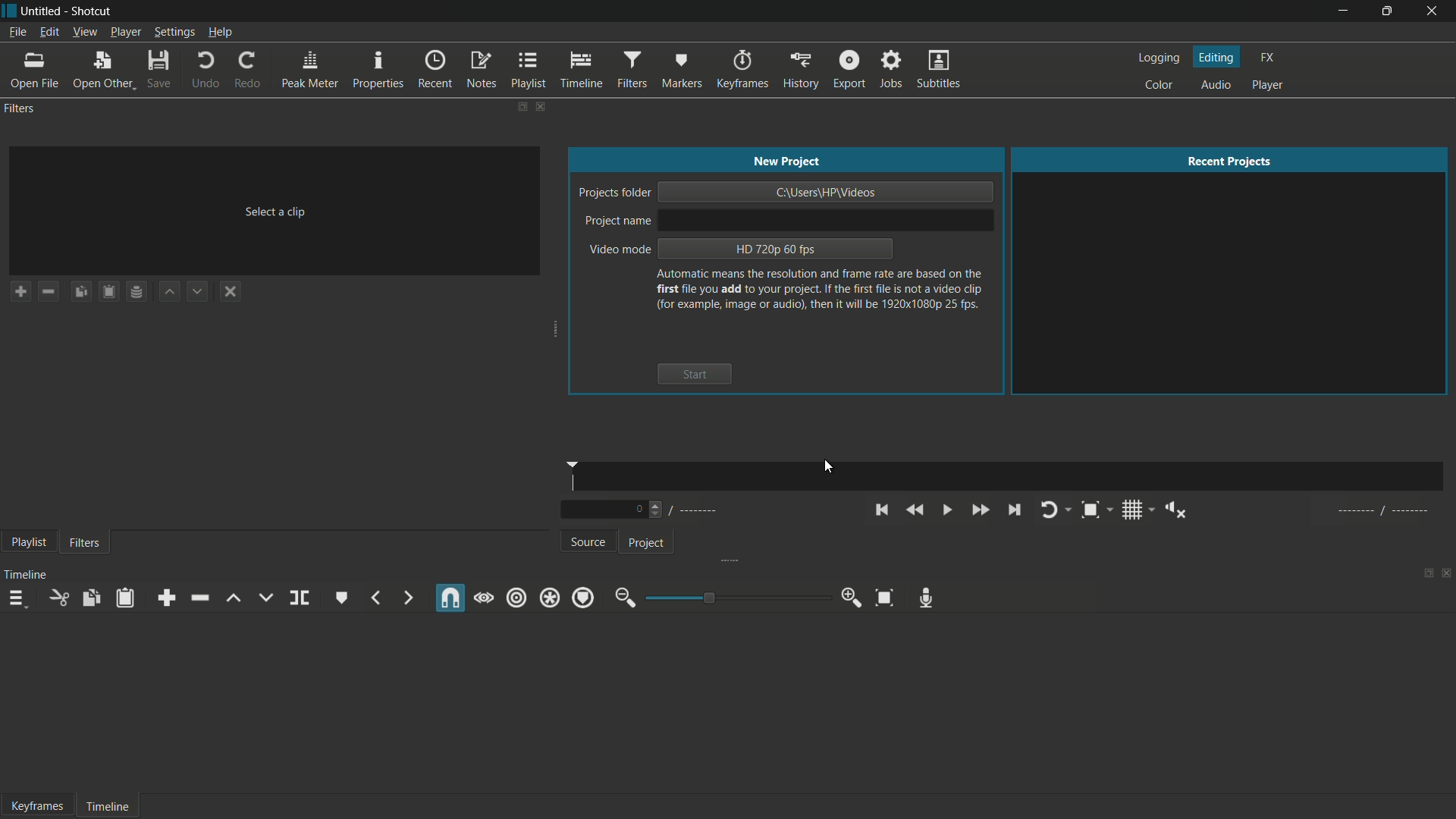  I want to click on save, so click(164, 71).